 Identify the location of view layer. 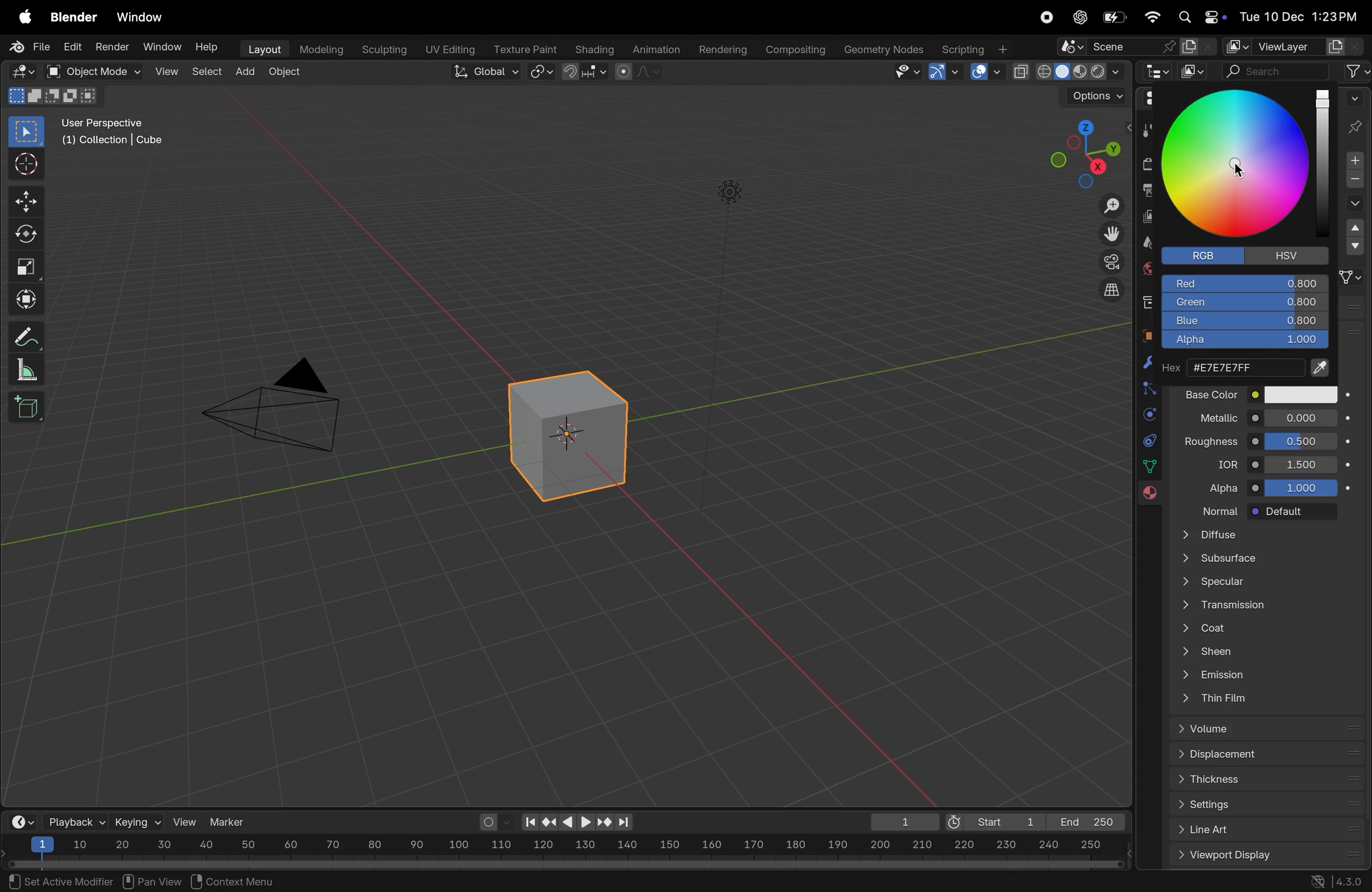
(1145, 217).